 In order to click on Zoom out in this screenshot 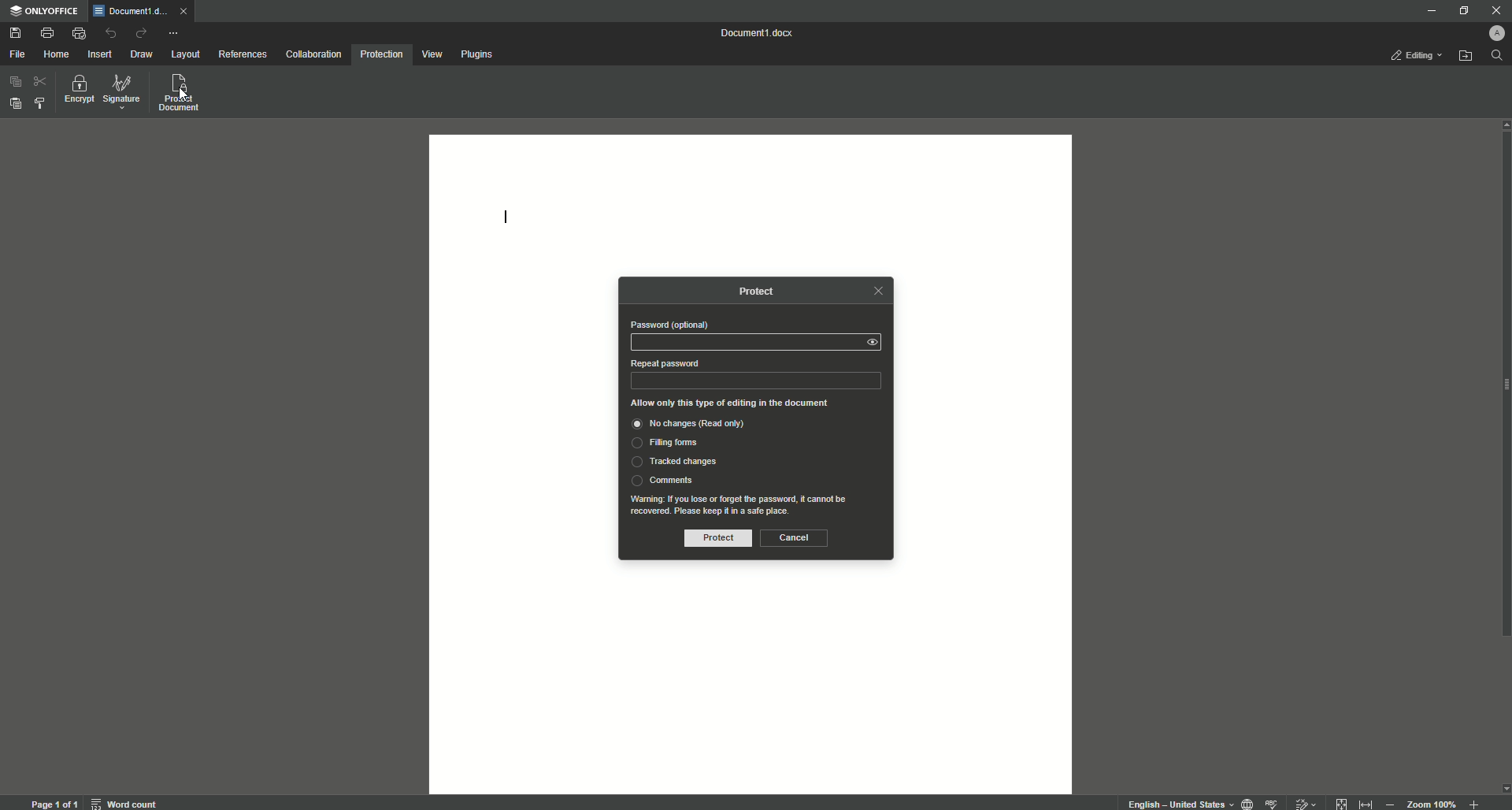, I will do `click(1389, 801)`.